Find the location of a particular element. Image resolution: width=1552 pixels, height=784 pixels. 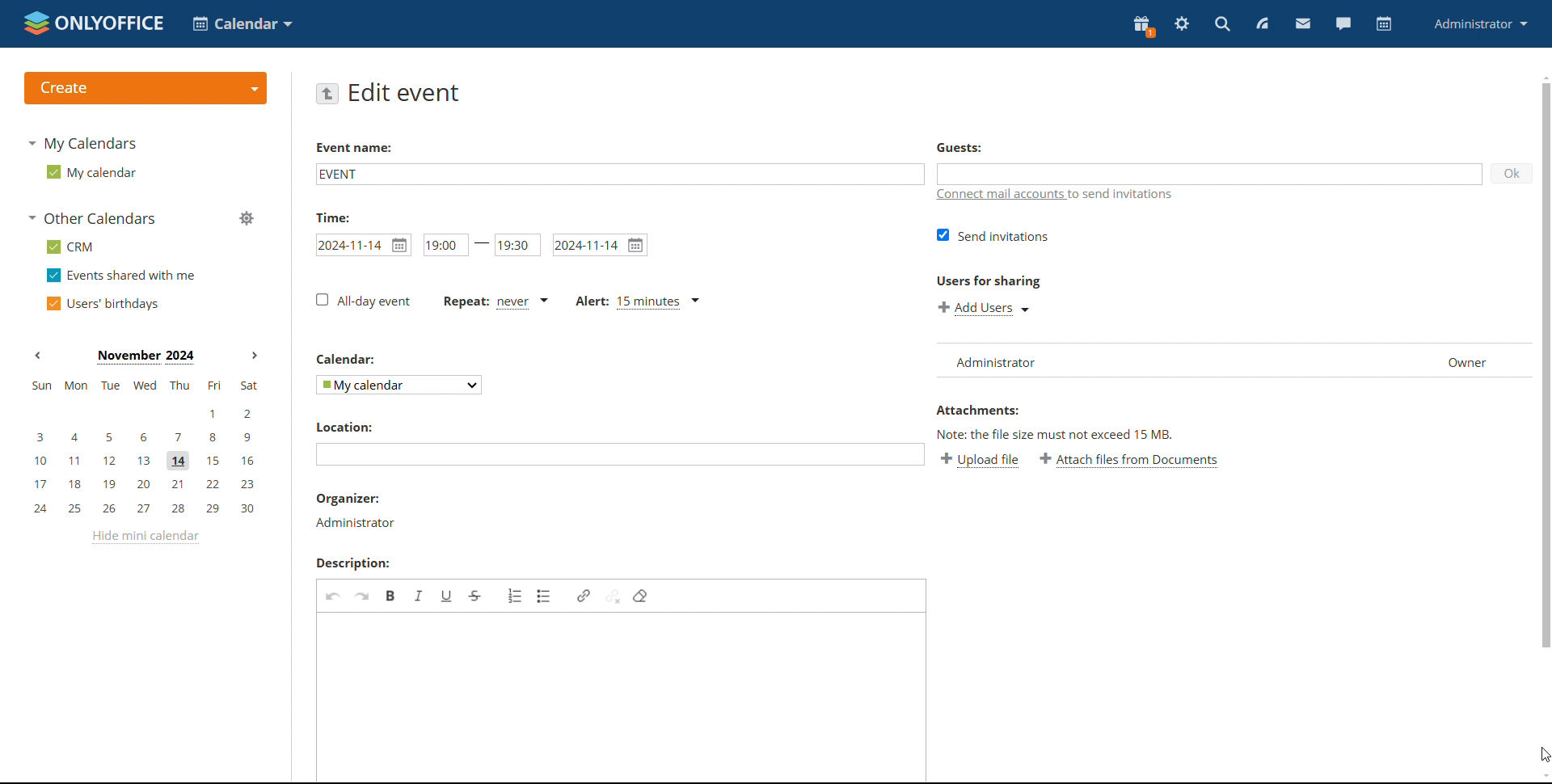

guest: is located at coordinates (970, 149).